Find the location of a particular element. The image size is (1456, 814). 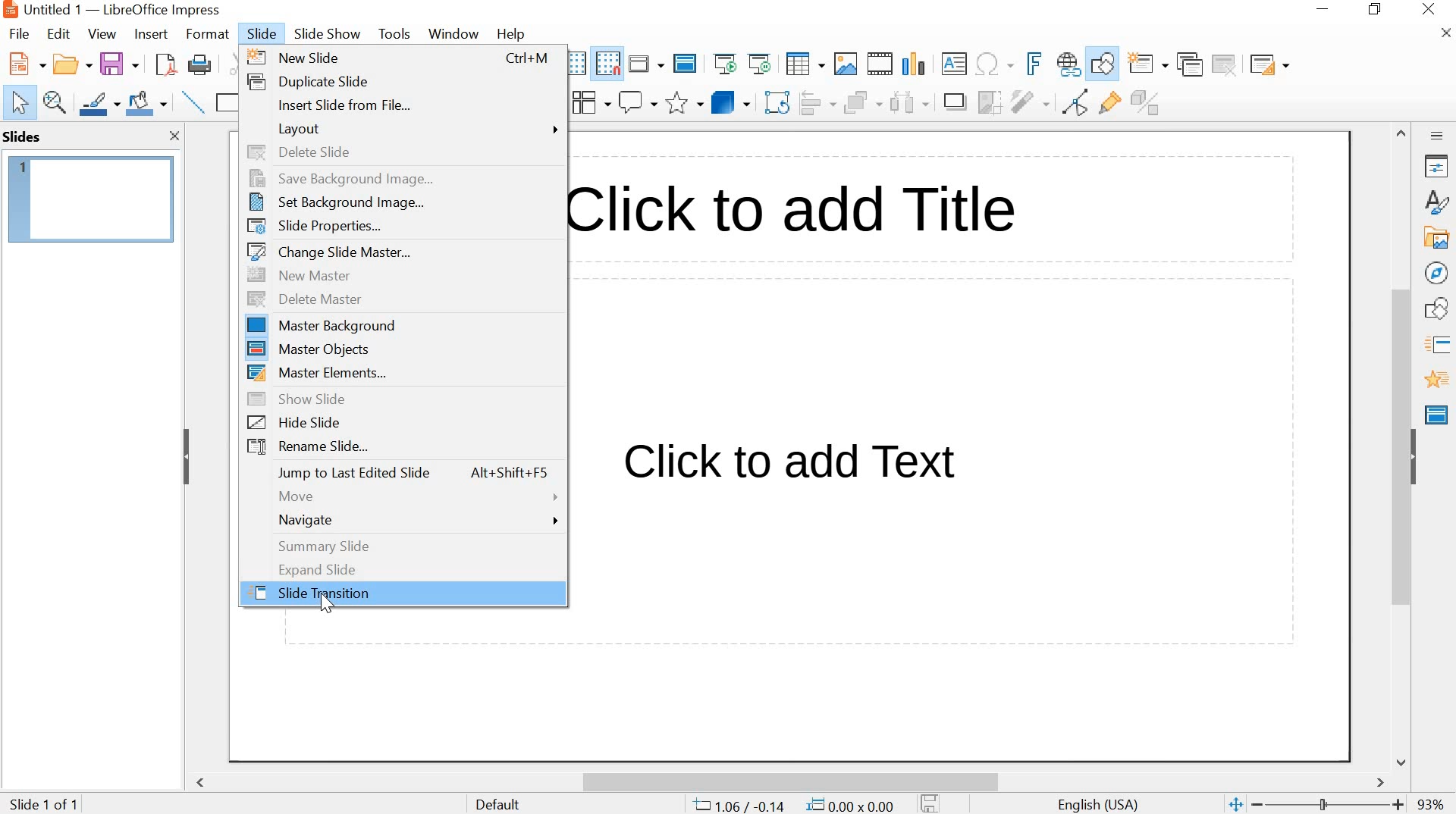

insert slide from file is located at coordinates (403, 105).